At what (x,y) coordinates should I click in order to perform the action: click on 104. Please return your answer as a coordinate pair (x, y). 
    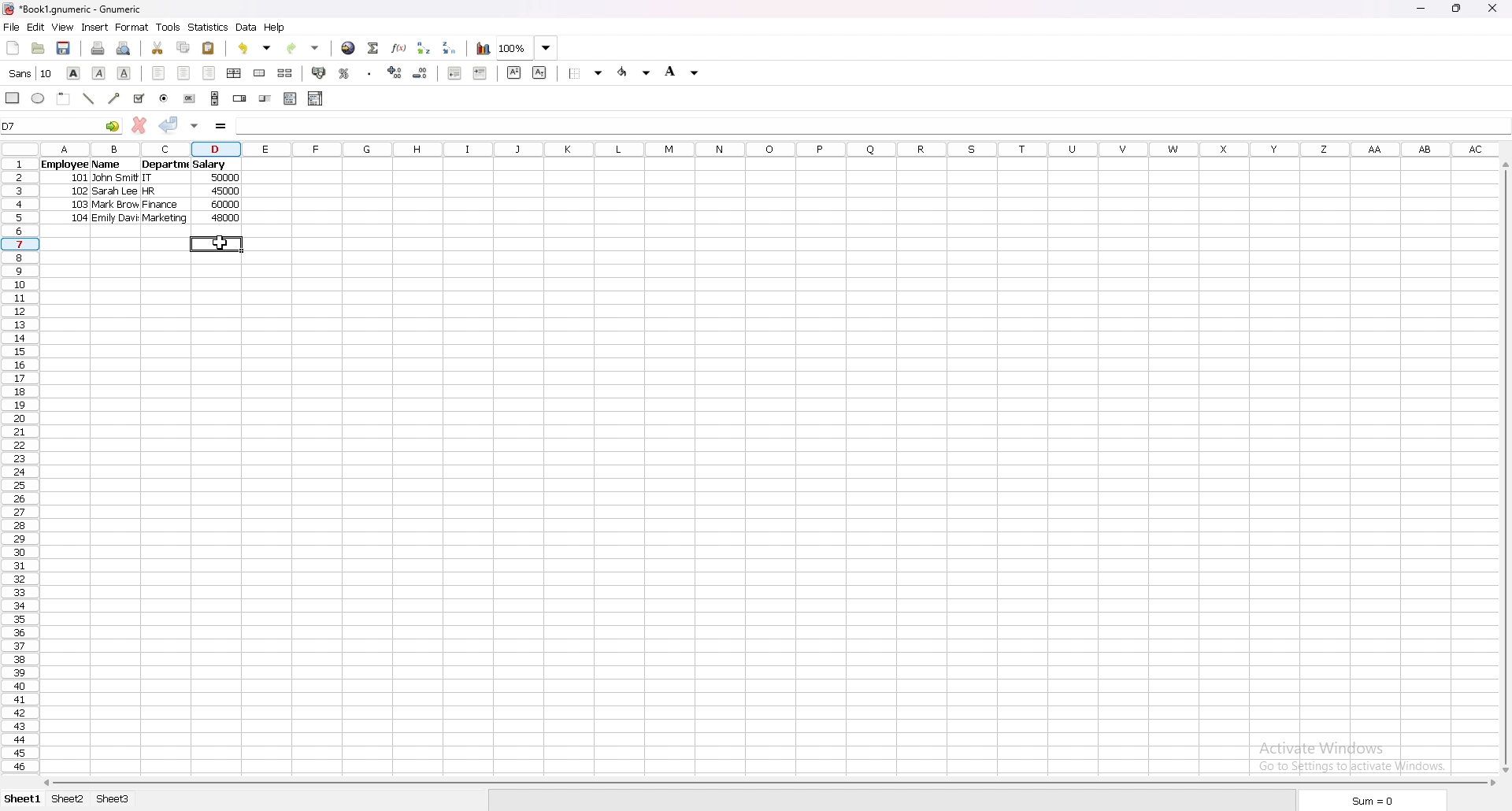
    Looking at the image, I should click on (80, 219).